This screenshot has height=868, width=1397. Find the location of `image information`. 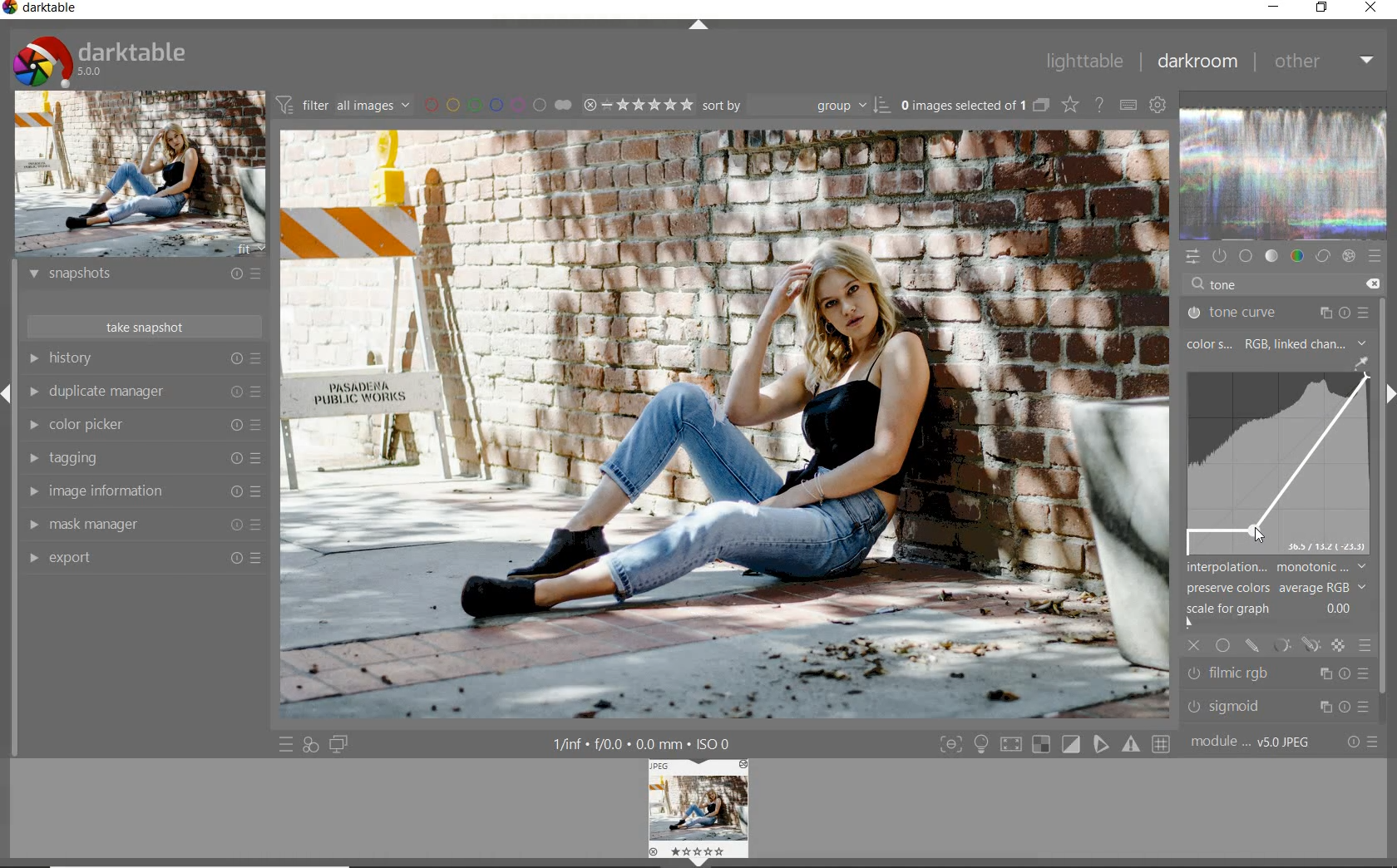

image information is located at coordinates (143, 491).